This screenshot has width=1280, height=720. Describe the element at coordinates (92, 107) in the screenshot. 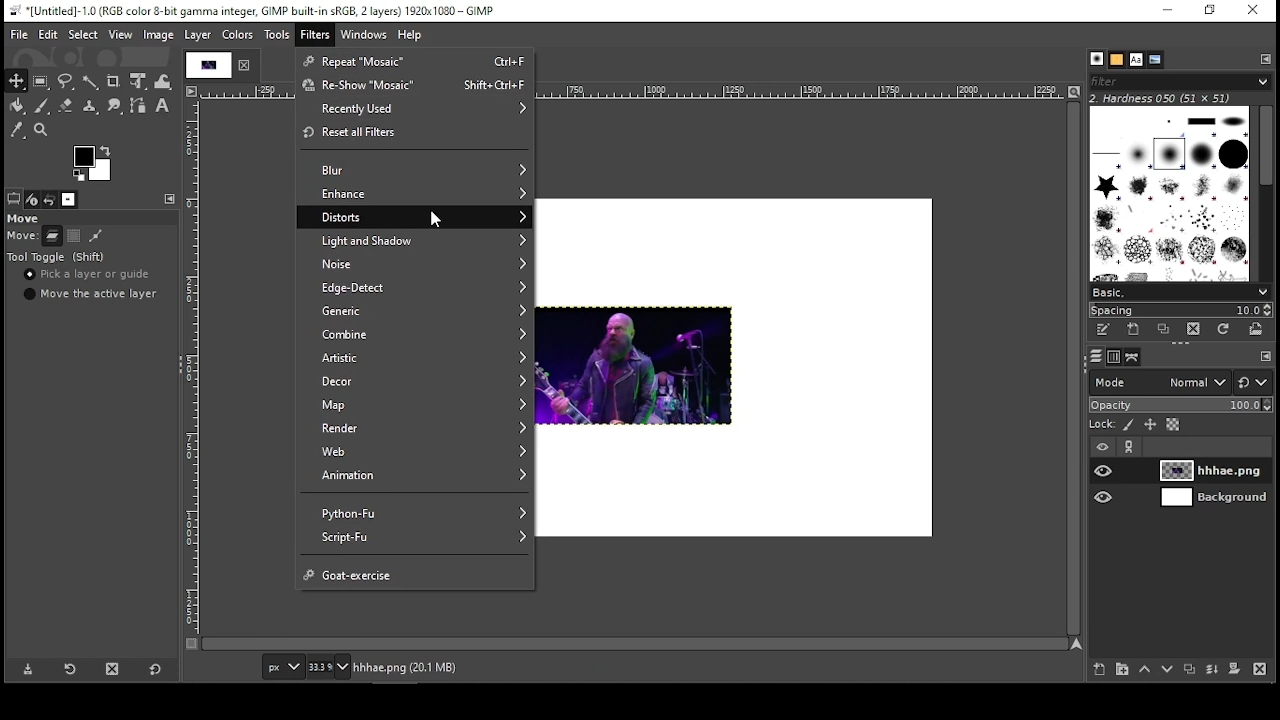

I see `heal tool` at that location.